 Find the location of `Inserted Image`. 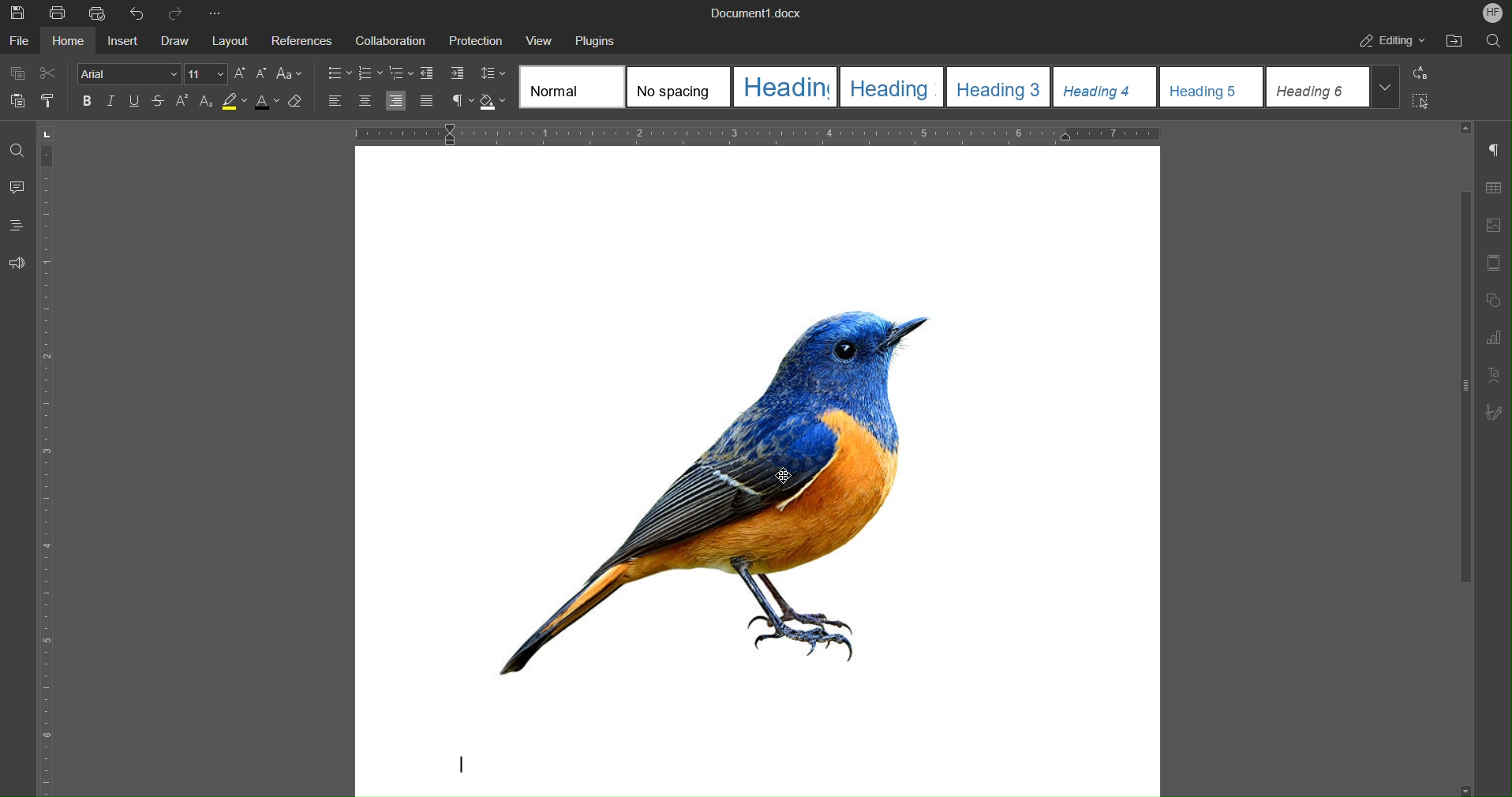

Inserted Image is located at coordinates (768, 486).